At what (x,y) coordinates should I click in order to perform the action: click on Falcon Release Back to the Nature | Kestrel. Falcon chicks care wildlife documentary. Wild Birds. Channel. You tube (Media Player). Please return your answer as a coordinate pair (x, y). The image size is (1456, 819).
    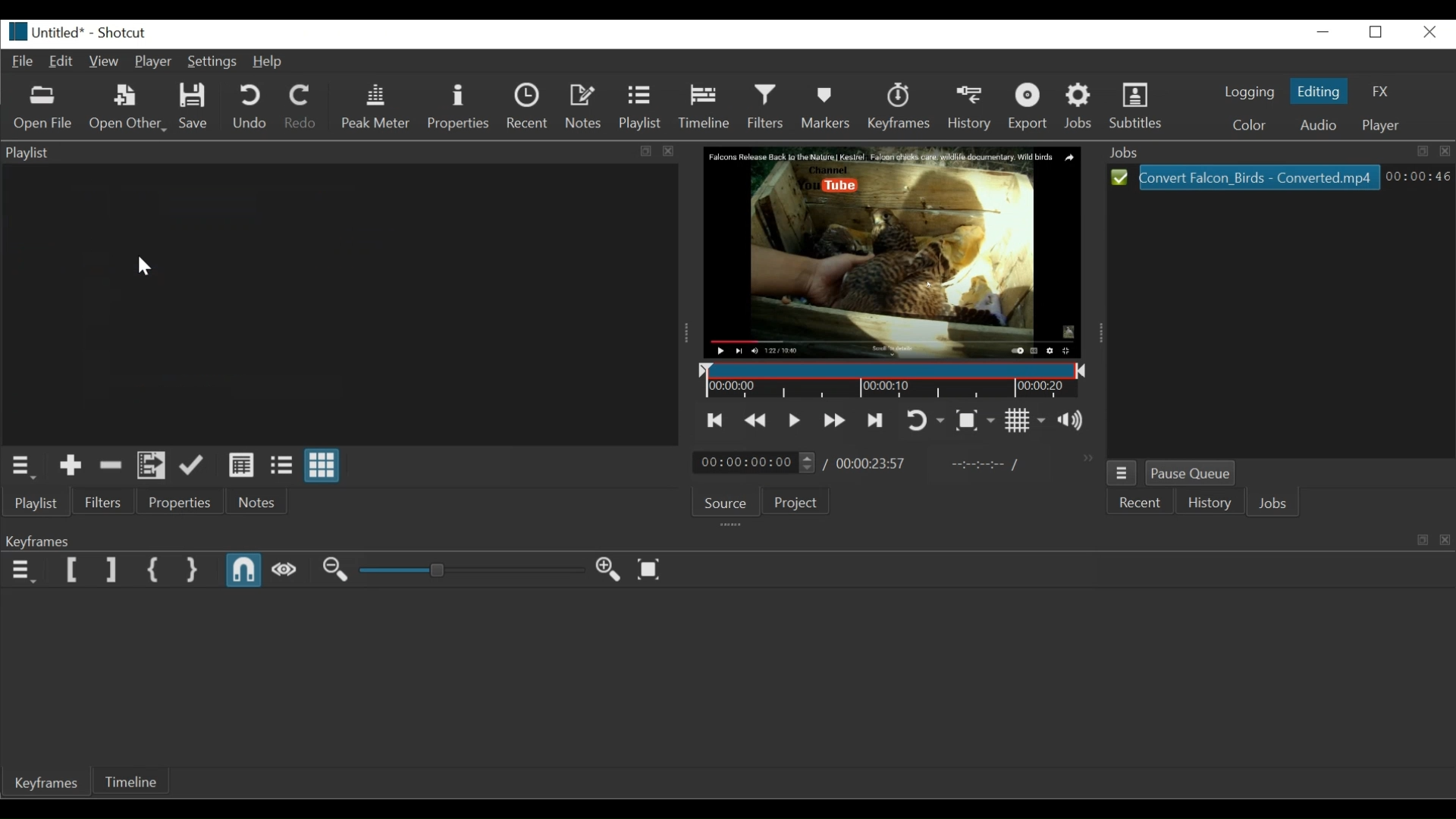
    Looking at the image, I should click on (899, 249).